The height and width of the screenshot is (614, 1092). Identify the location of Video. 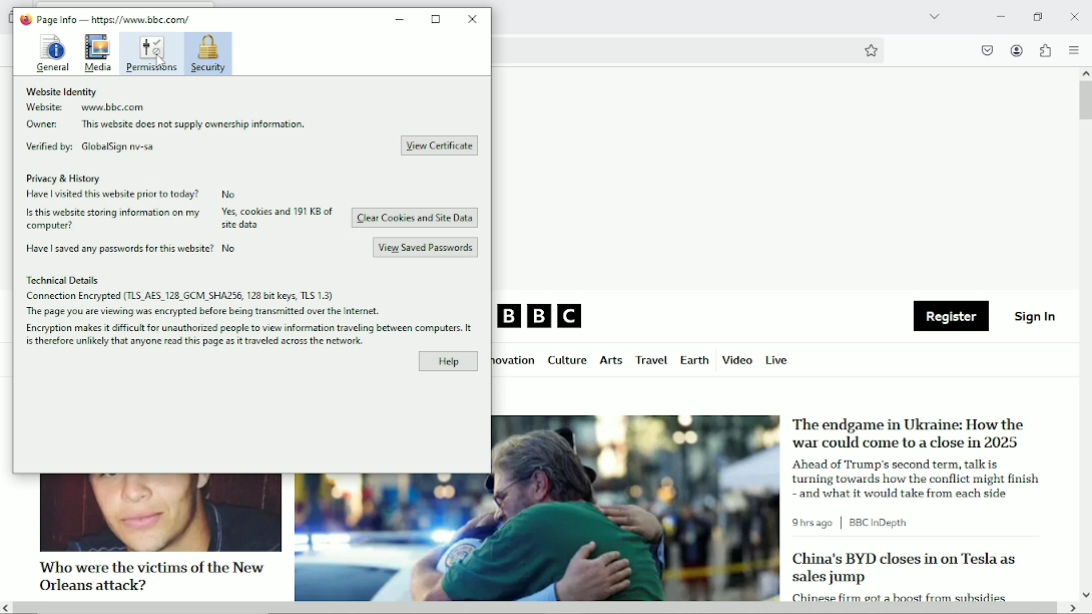
(737, 359).